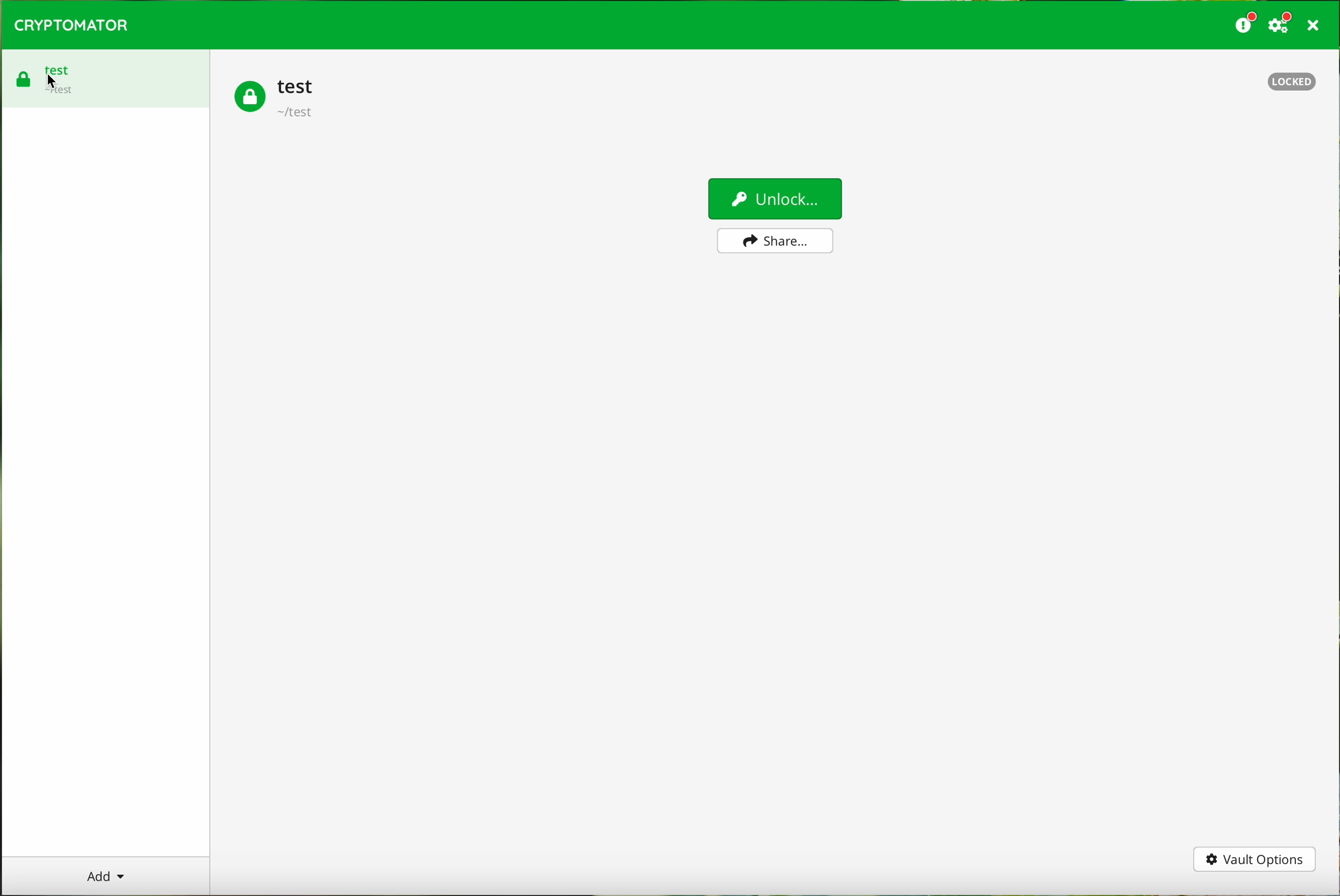 The width and height of the screenshot is (1340, 896). I want to click on locked, so click(1288, 79).